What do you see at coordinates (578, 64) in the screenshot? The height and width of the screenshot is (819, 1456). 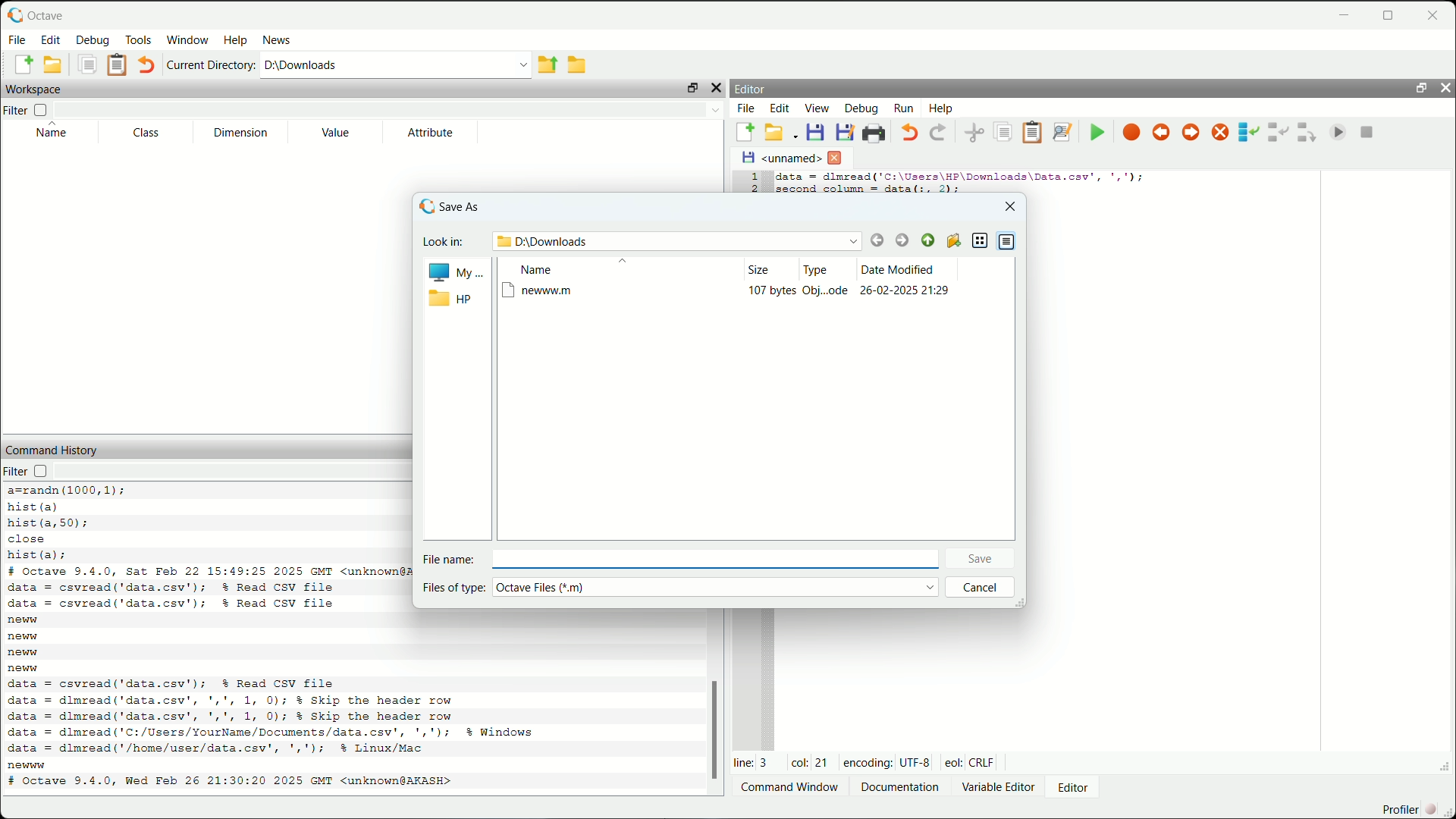 I see `browse directories` at bounding box center [578, 64].